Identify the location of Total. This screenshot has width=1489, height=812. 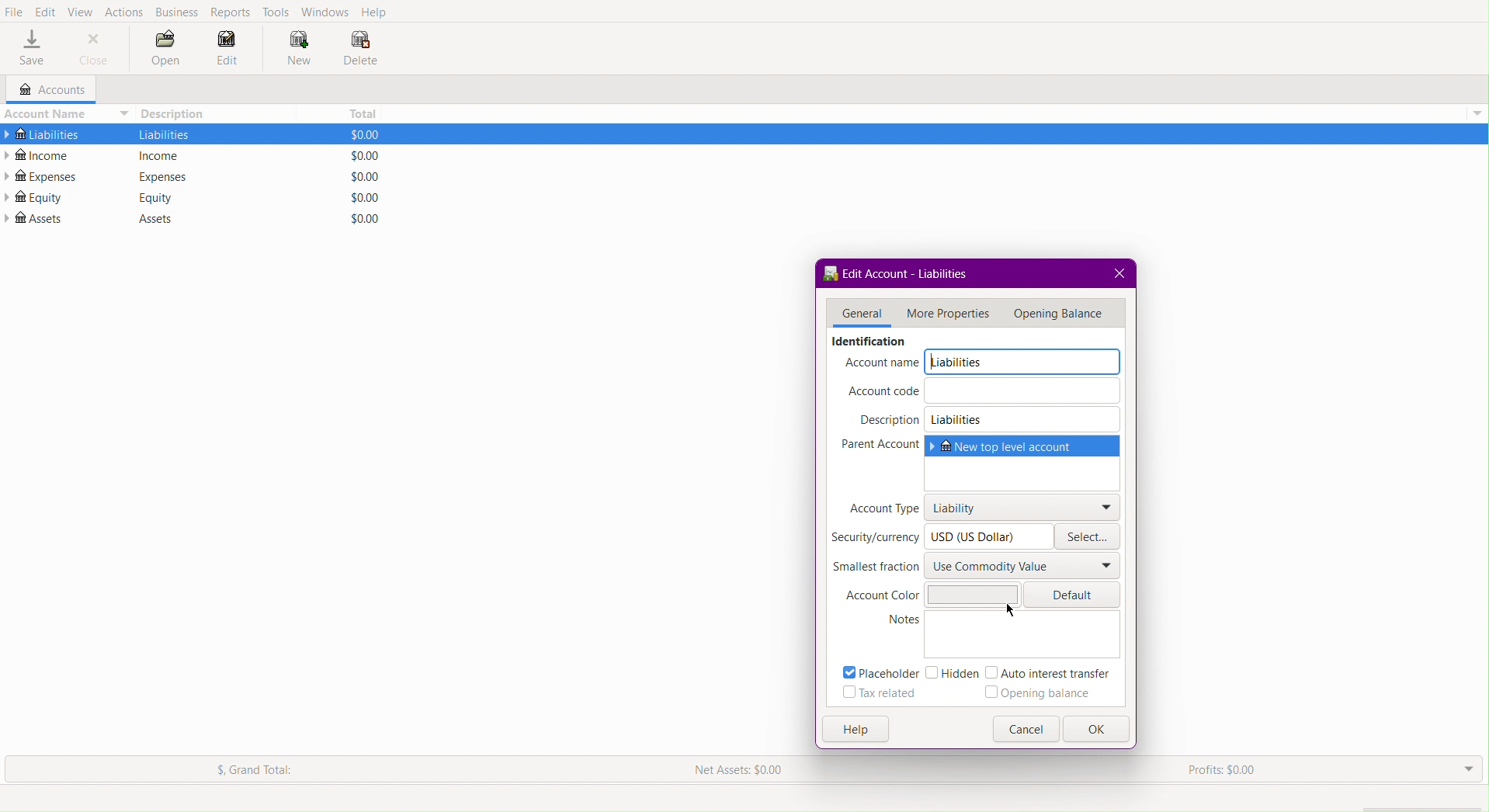
(359, 111).